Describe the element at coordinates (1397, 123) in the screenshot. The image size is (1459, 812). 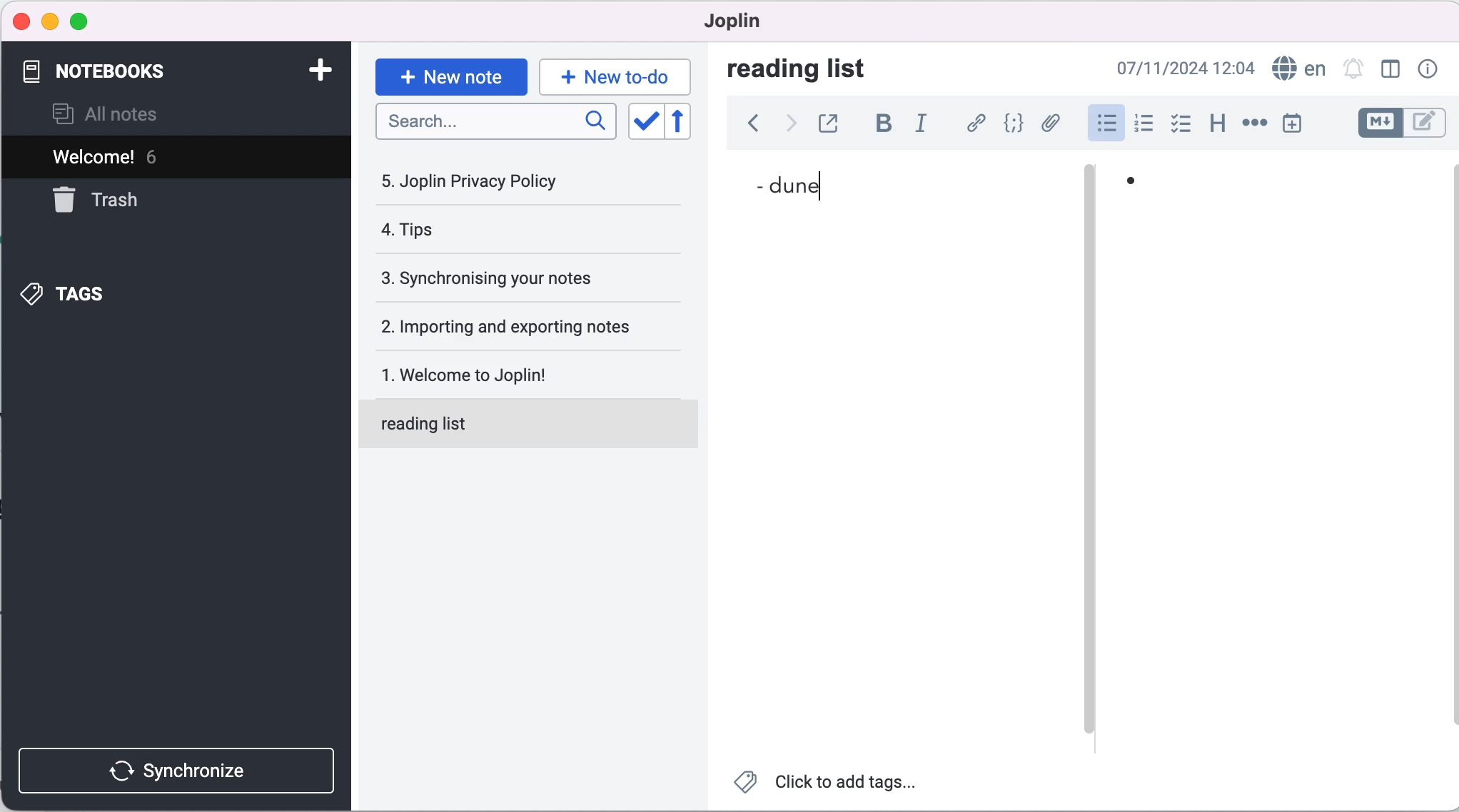
I see `toggle editors` at that location.